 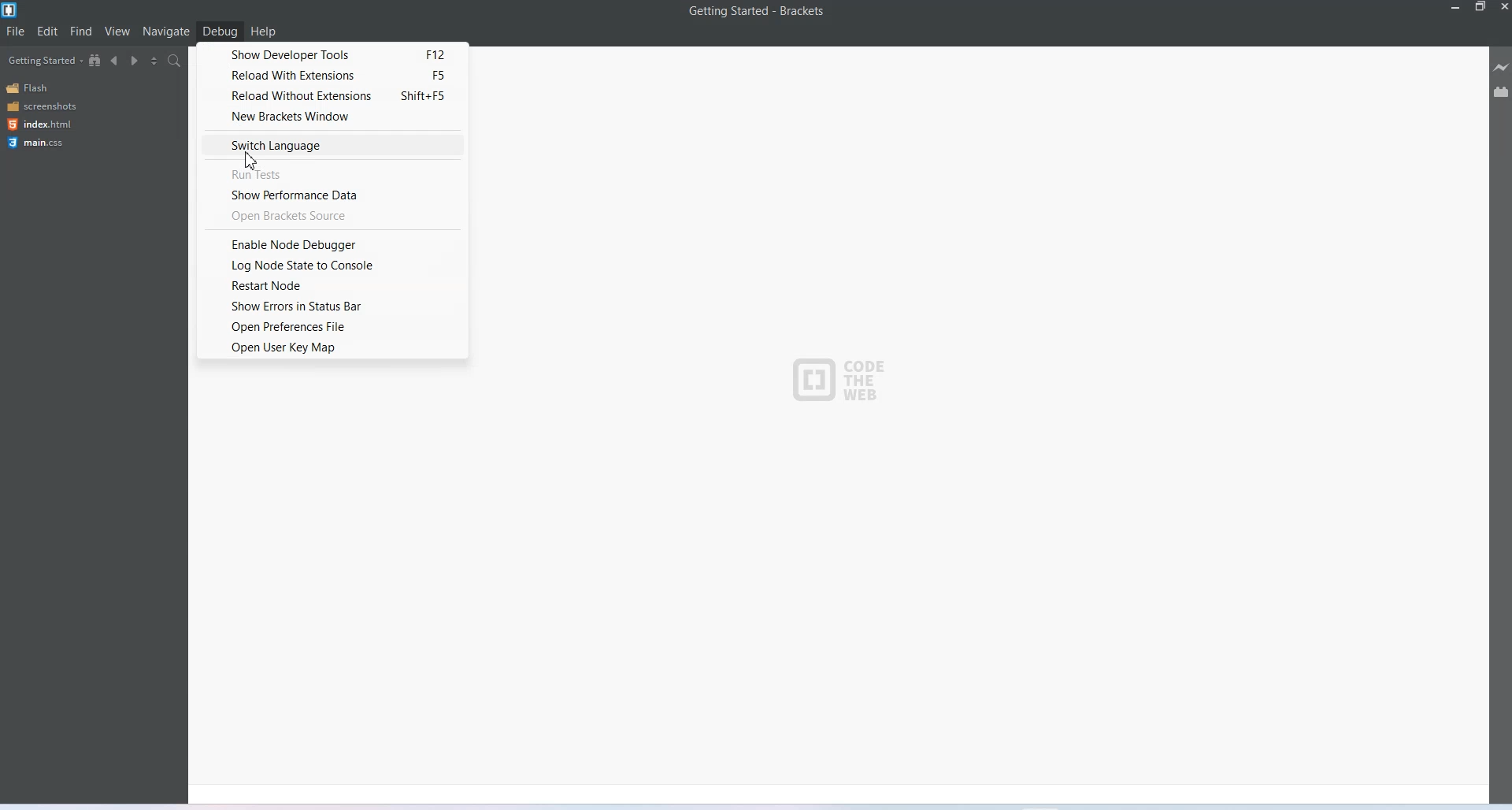 What do you see at coordinates (333, 266) in the screenshot?
I see `Lock node state to console` at bounding box center [333, 266].